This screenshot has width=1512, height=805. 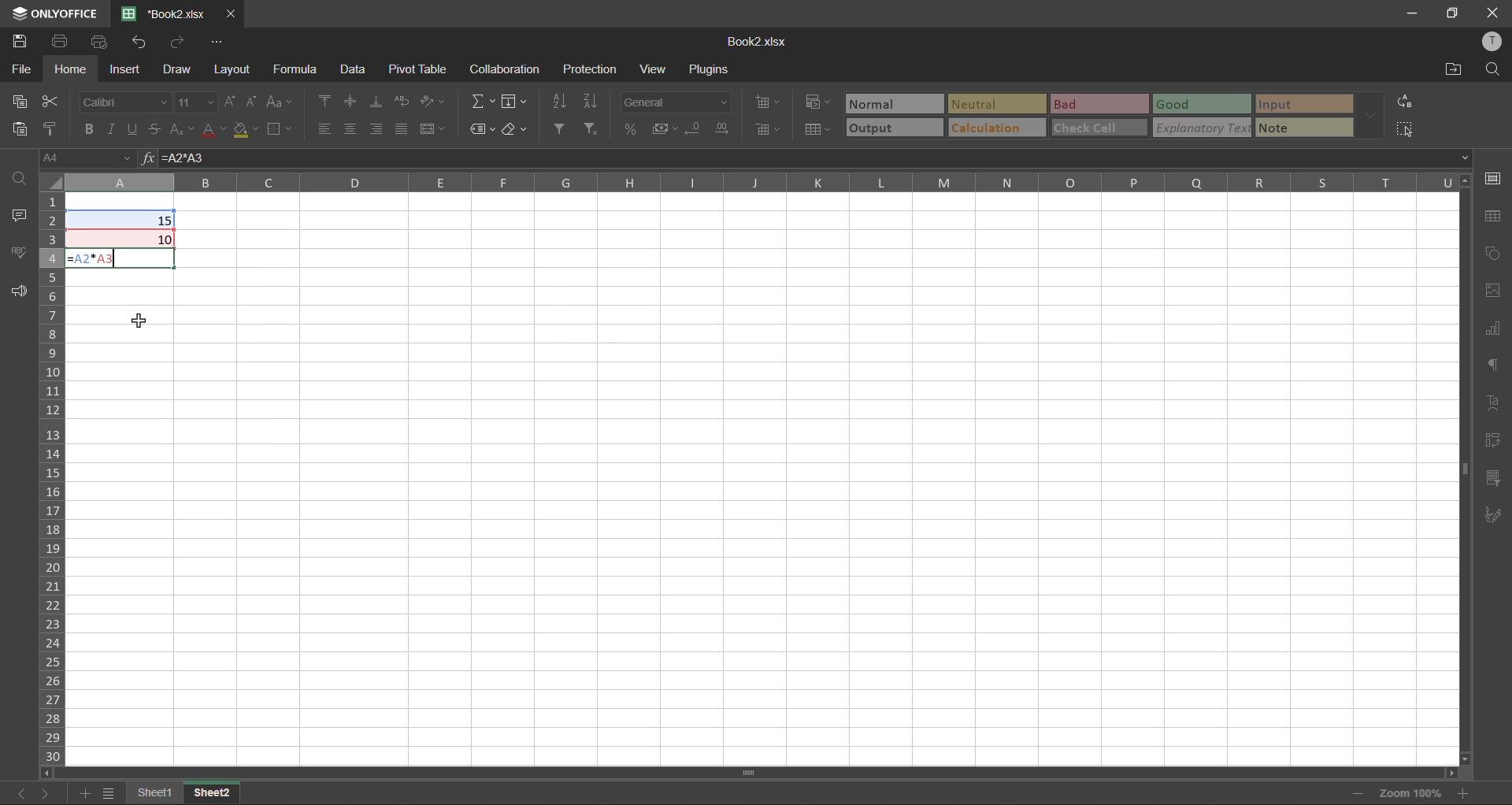 What do you see at coordinates (348, 101) in the screenshot?
I see `align  middle` at bounding box center [348, 101].